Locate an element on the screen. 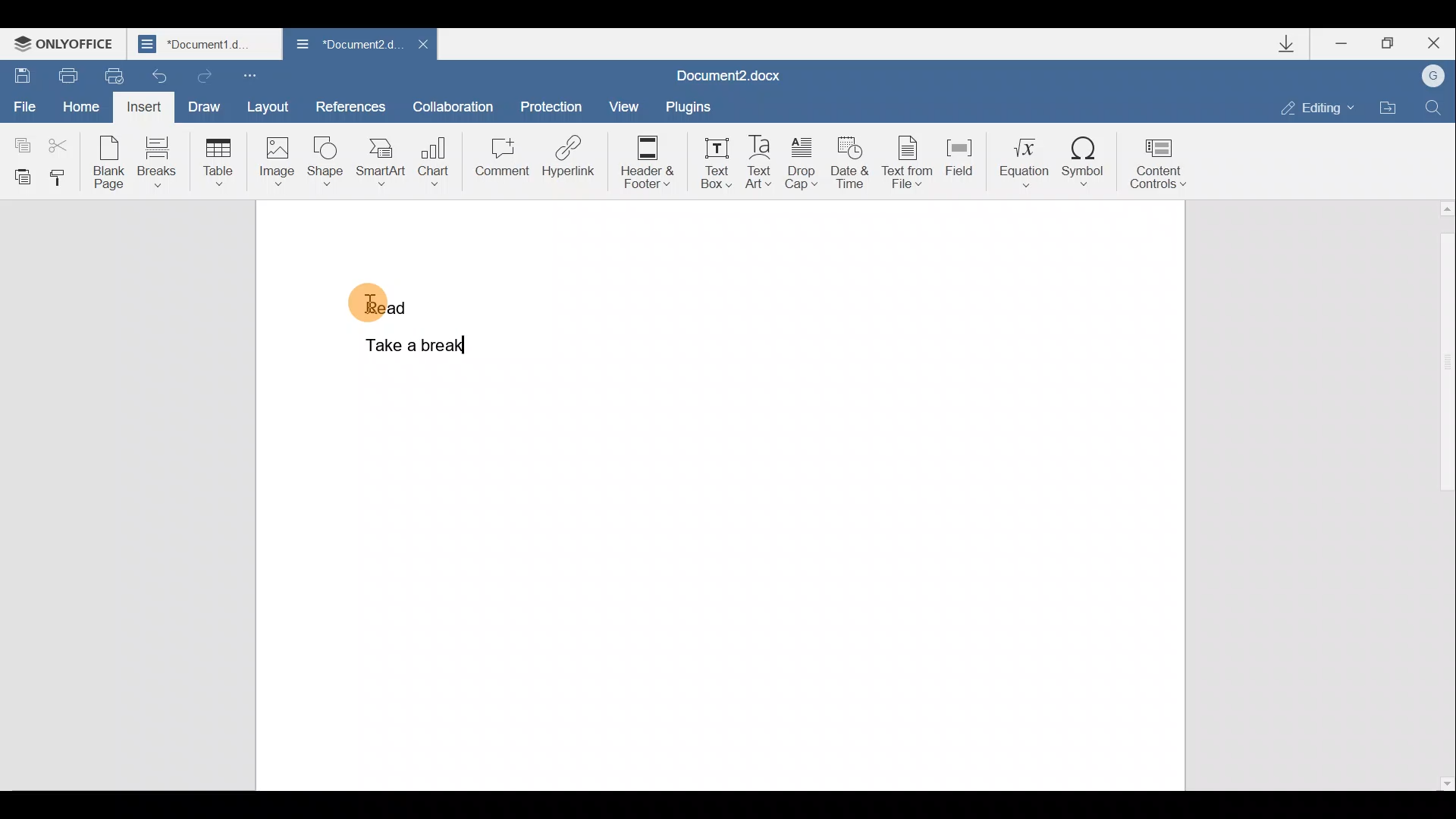  References is located at coordinates (351, 105).